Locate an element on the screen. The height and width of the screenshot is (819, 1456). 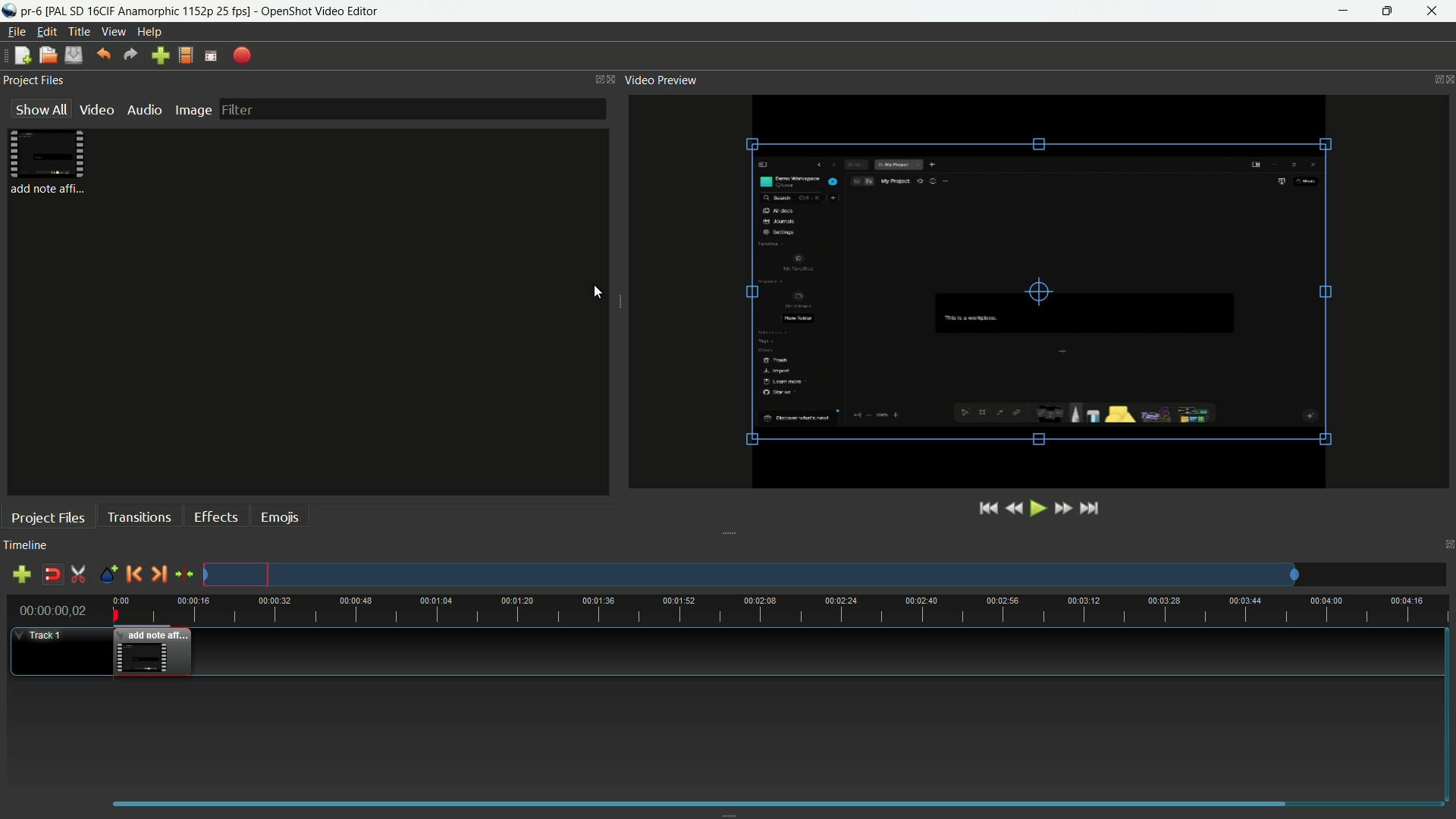
redo is located at coordinates (130, 55).